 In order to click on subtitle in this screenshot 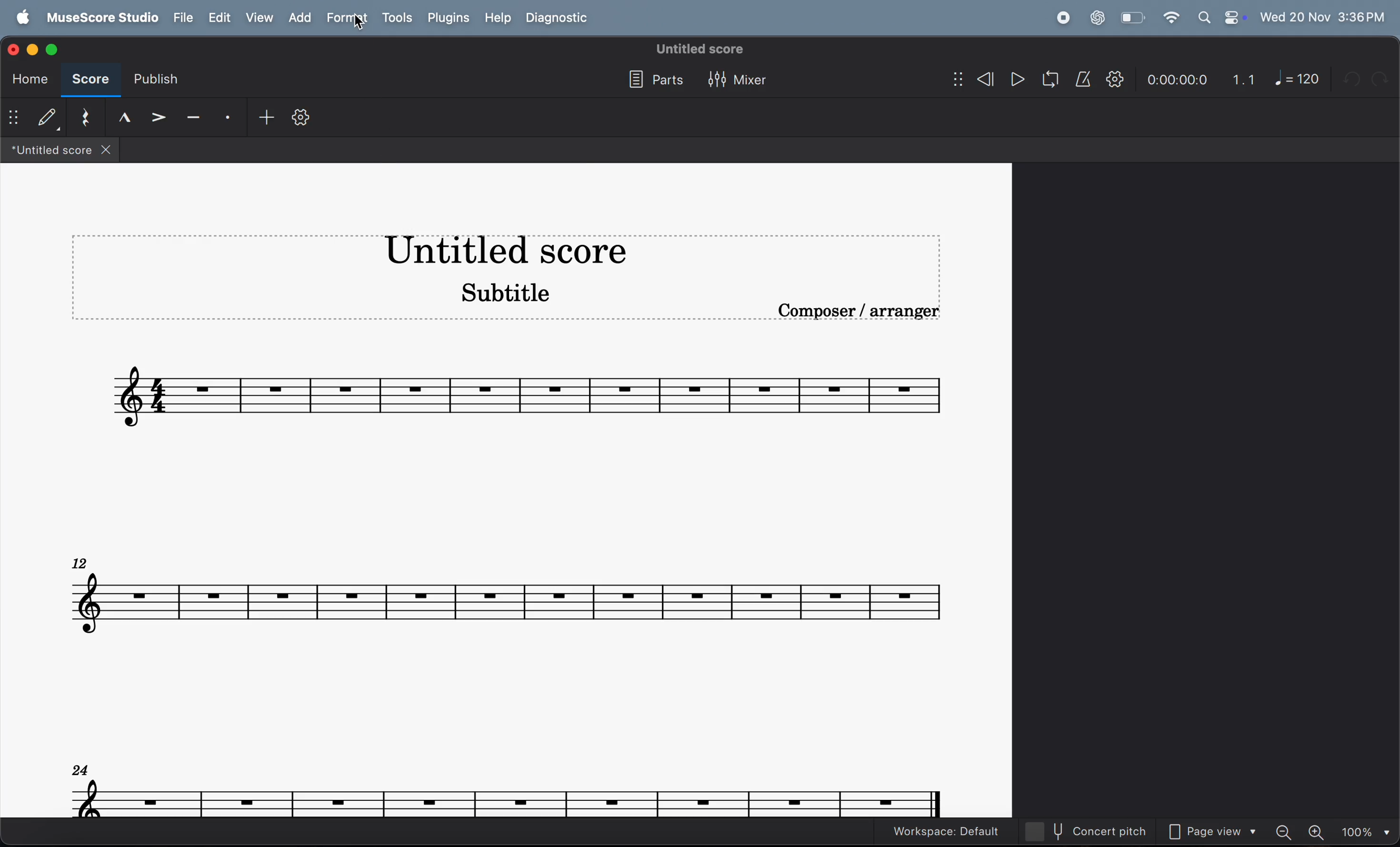, I will do `click(500, 291)`.